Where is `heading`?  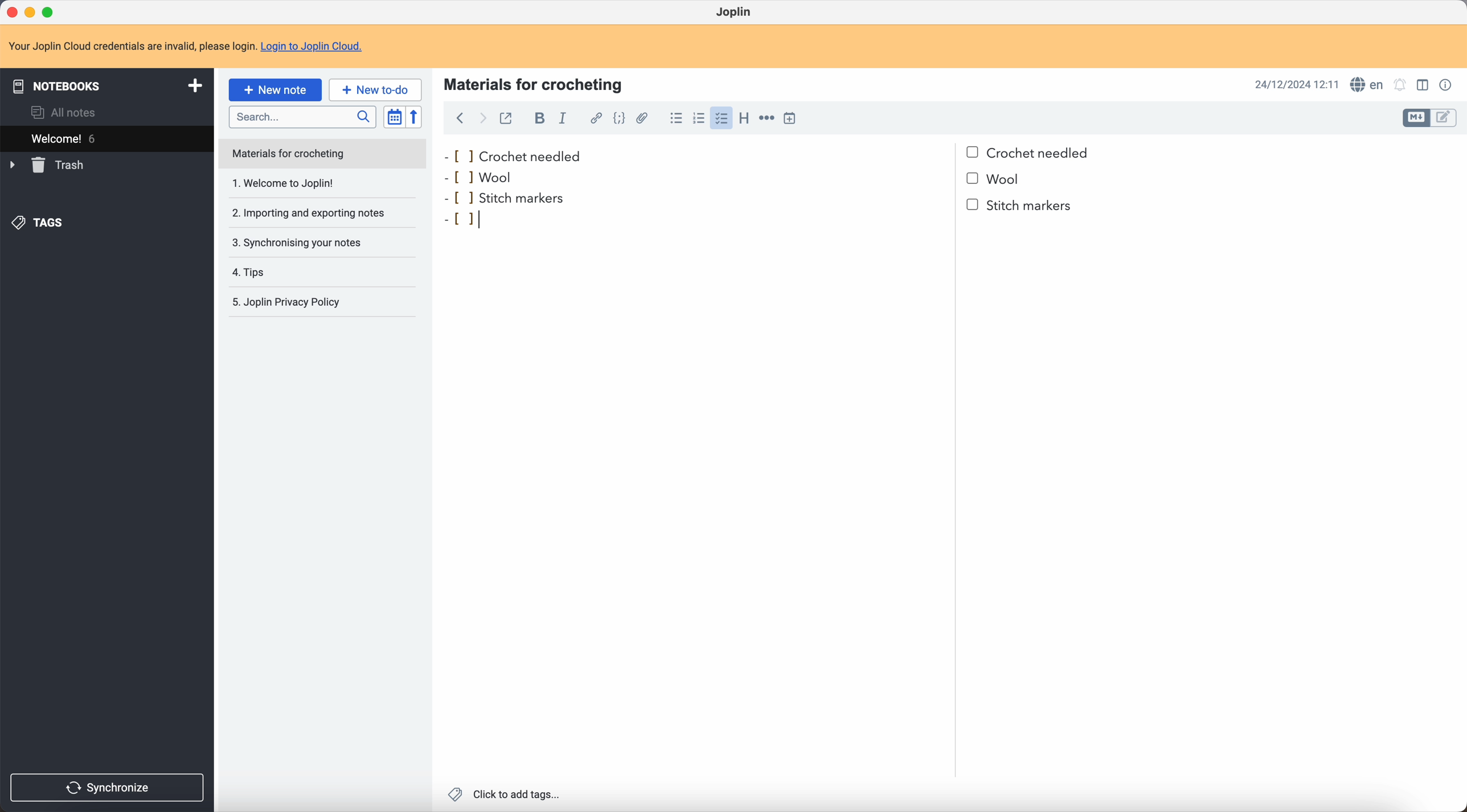
heading is located at coordinates (743, 118).